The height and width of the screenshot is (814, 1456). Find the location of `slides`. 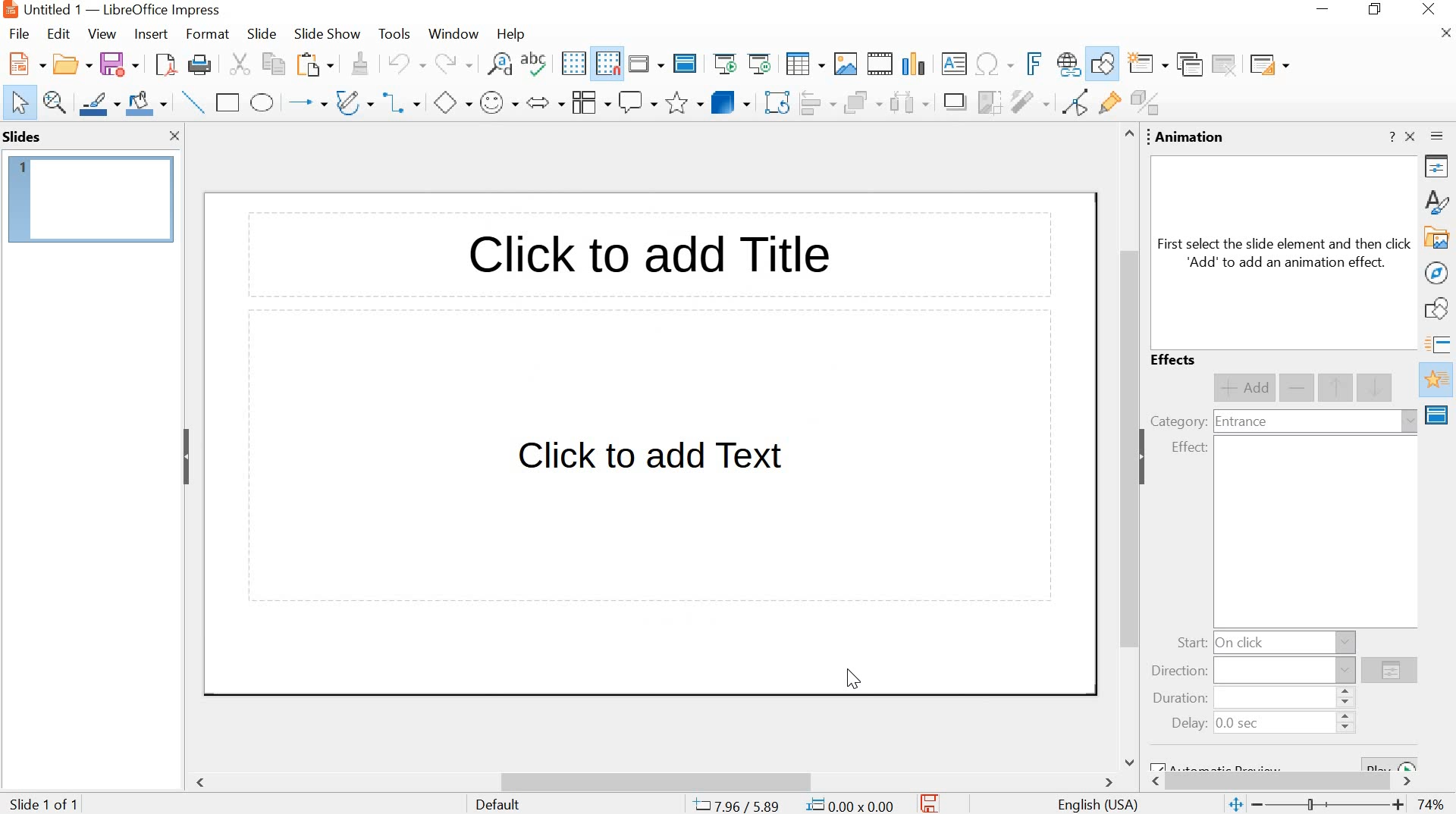

slides is located at coordinates (25, 136).